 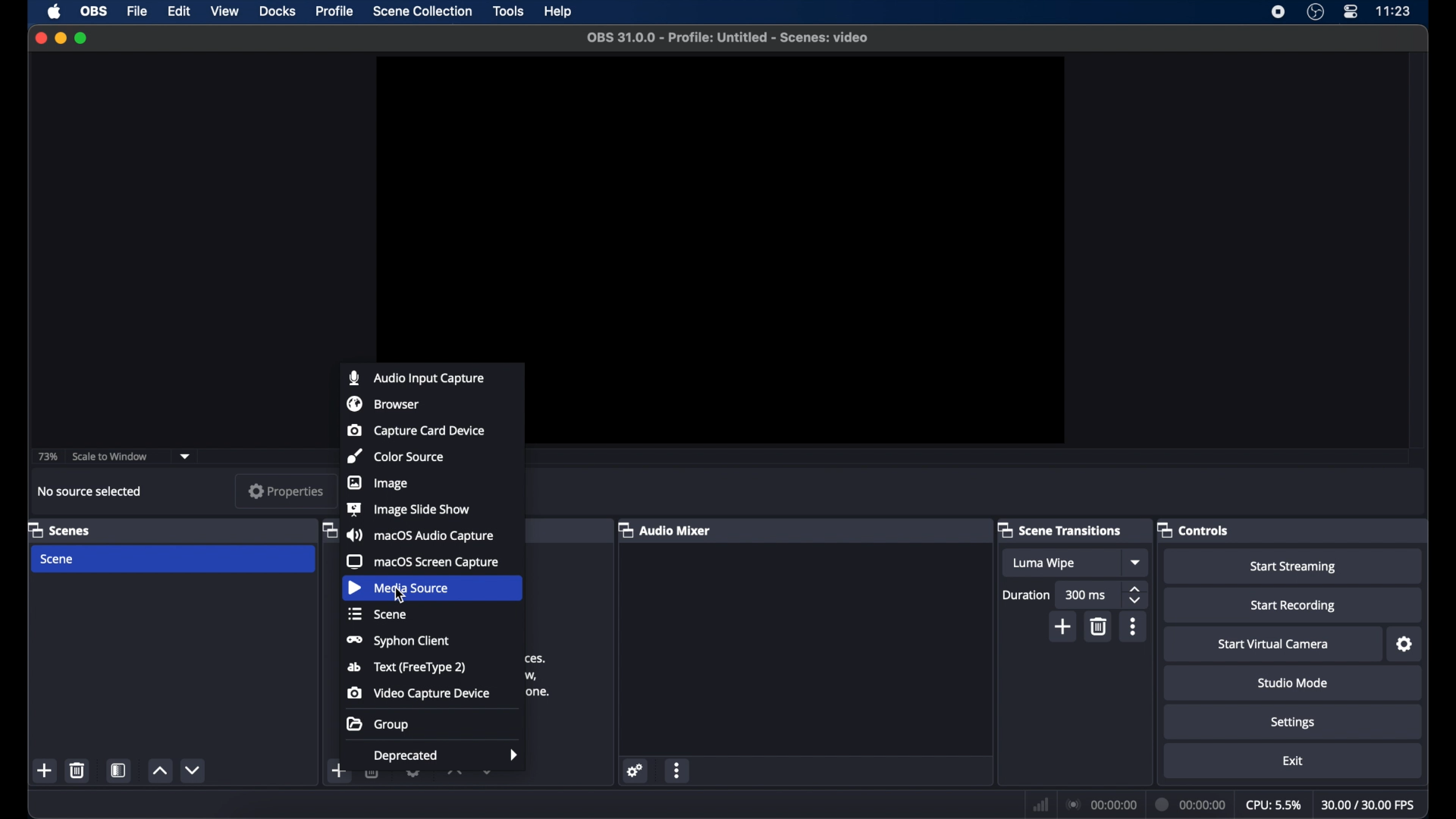 I want to click on close, so click(x=40, y=37).